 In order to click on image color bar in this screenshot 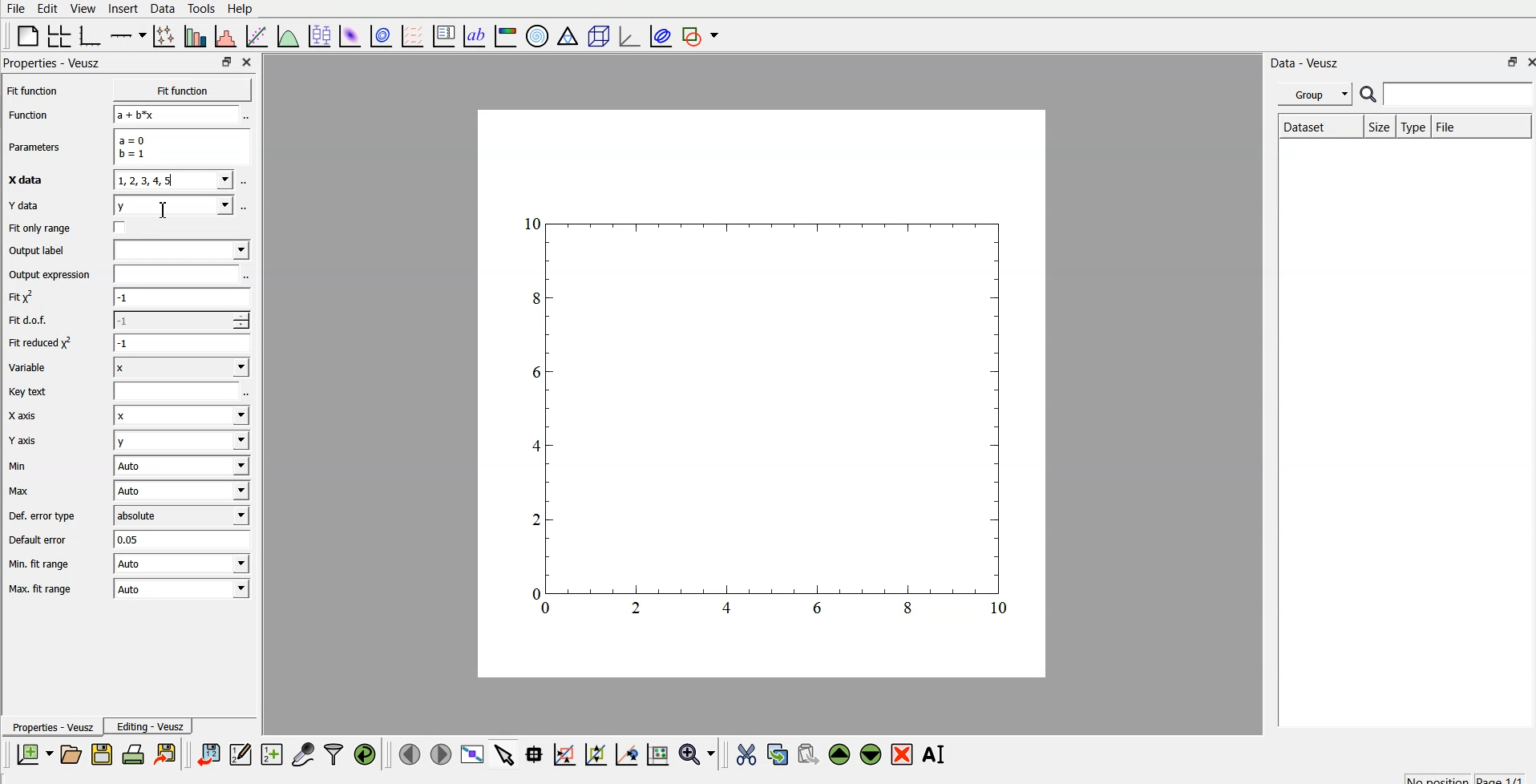, I will do `click(509, 36)`.